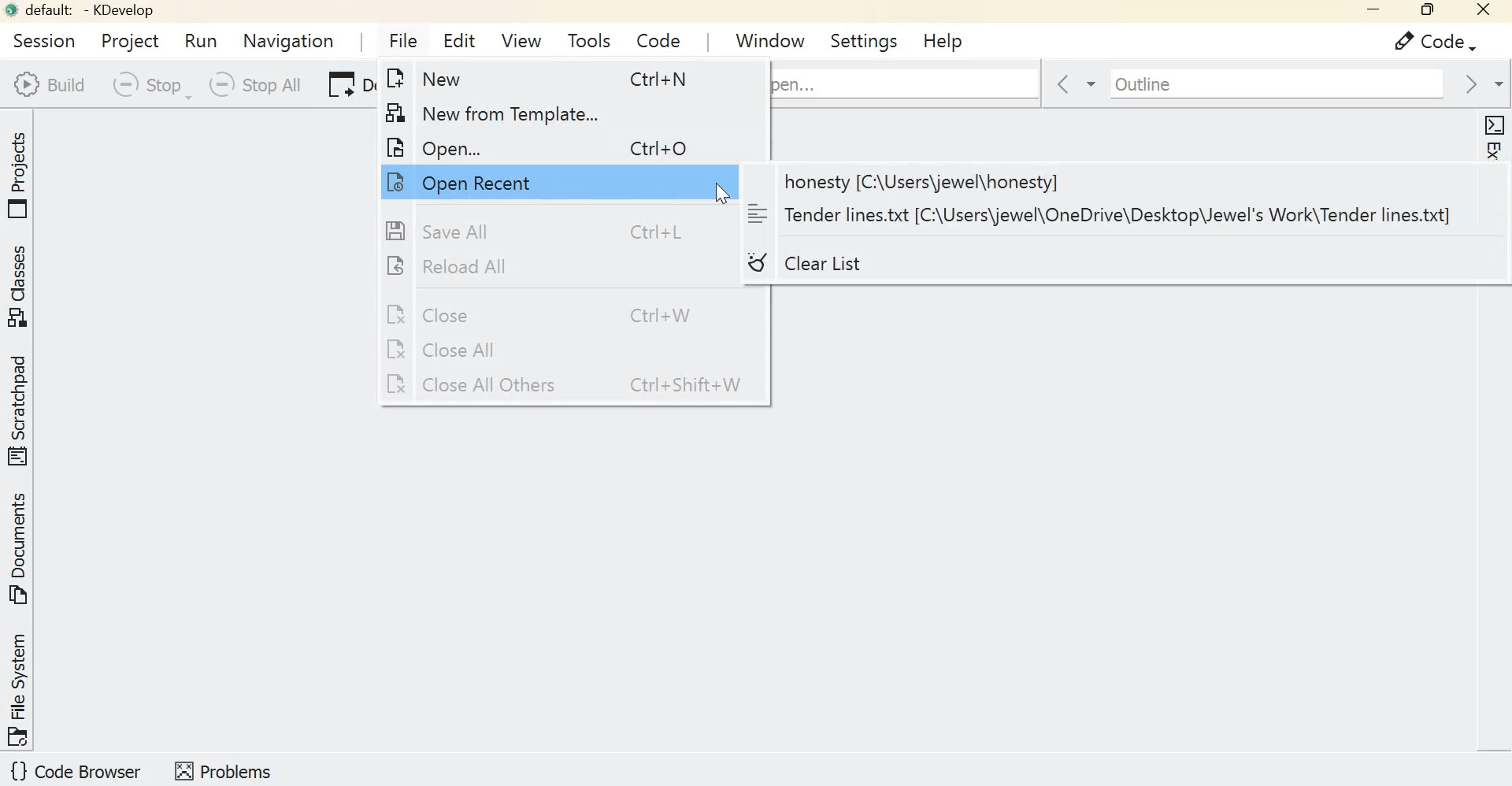 The image size is (1512, 786). Describe the element at coordinates (1426, 42) in the screenshot. I see `Code` at that location.